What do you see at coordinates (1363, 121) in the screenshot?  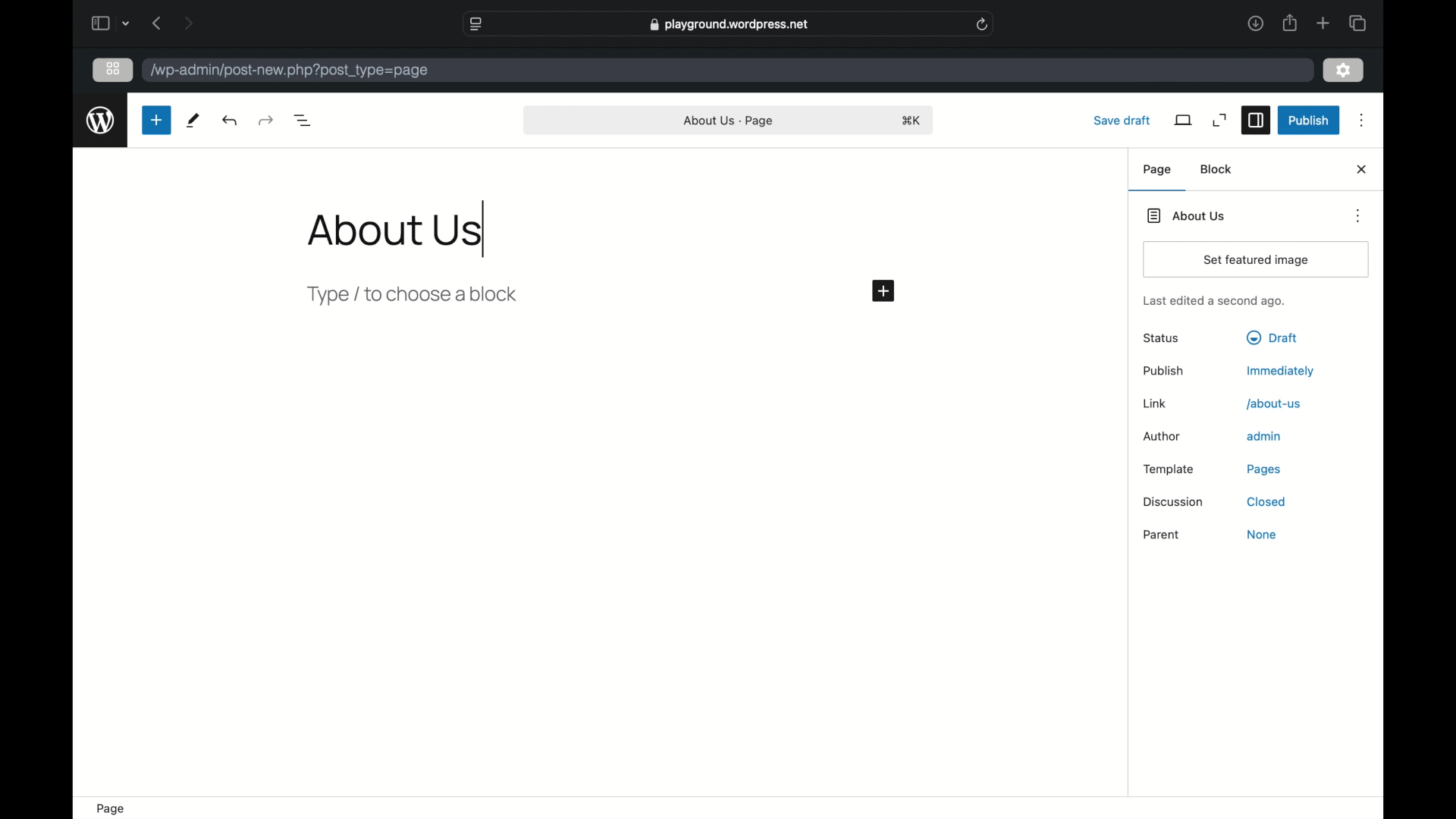 I see `more options` at bounding box center [1363, 121].